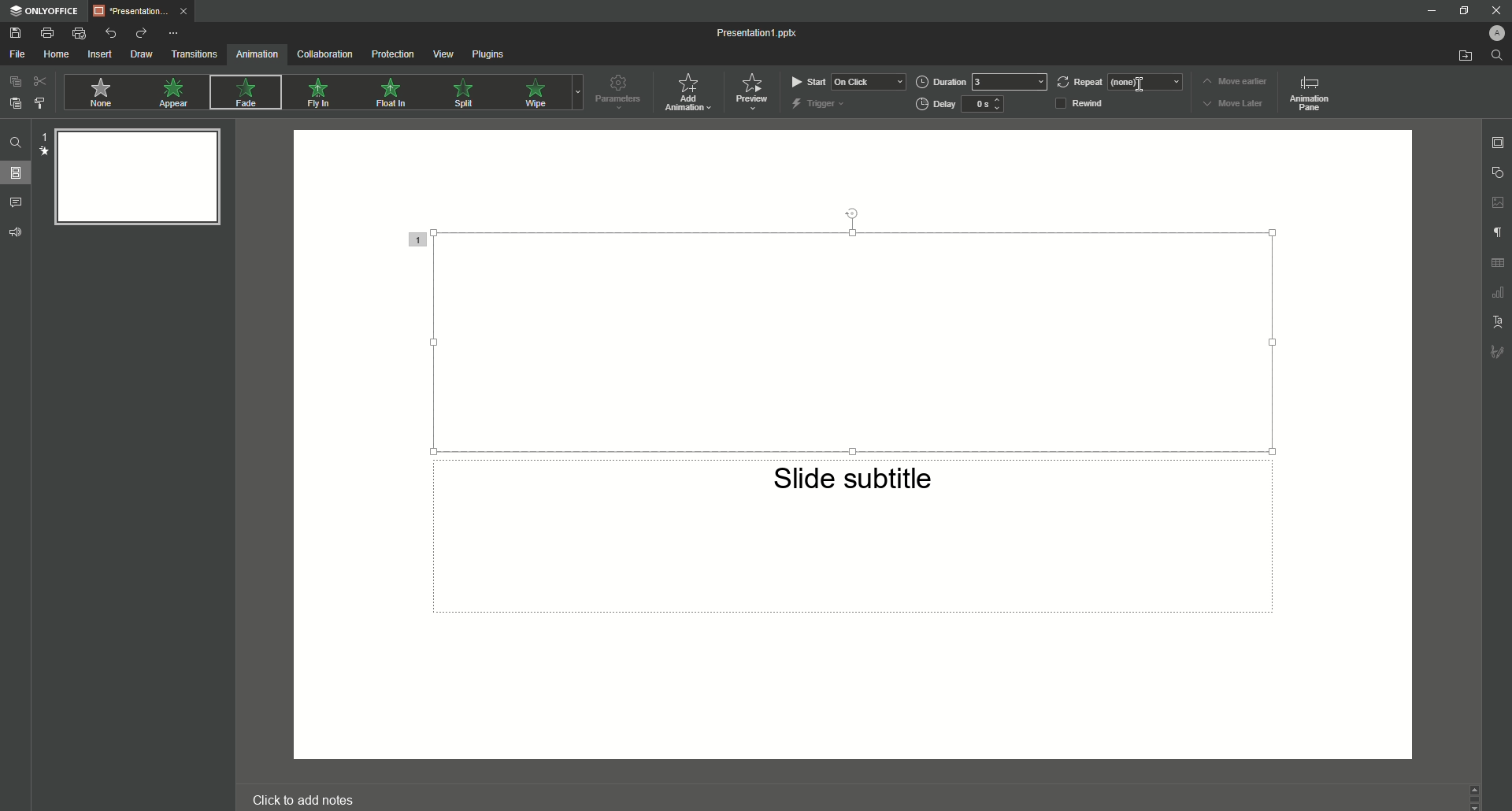  Describe the element at coordinates (1463, 55) in the screenshot. I see `Open From File` at that location.